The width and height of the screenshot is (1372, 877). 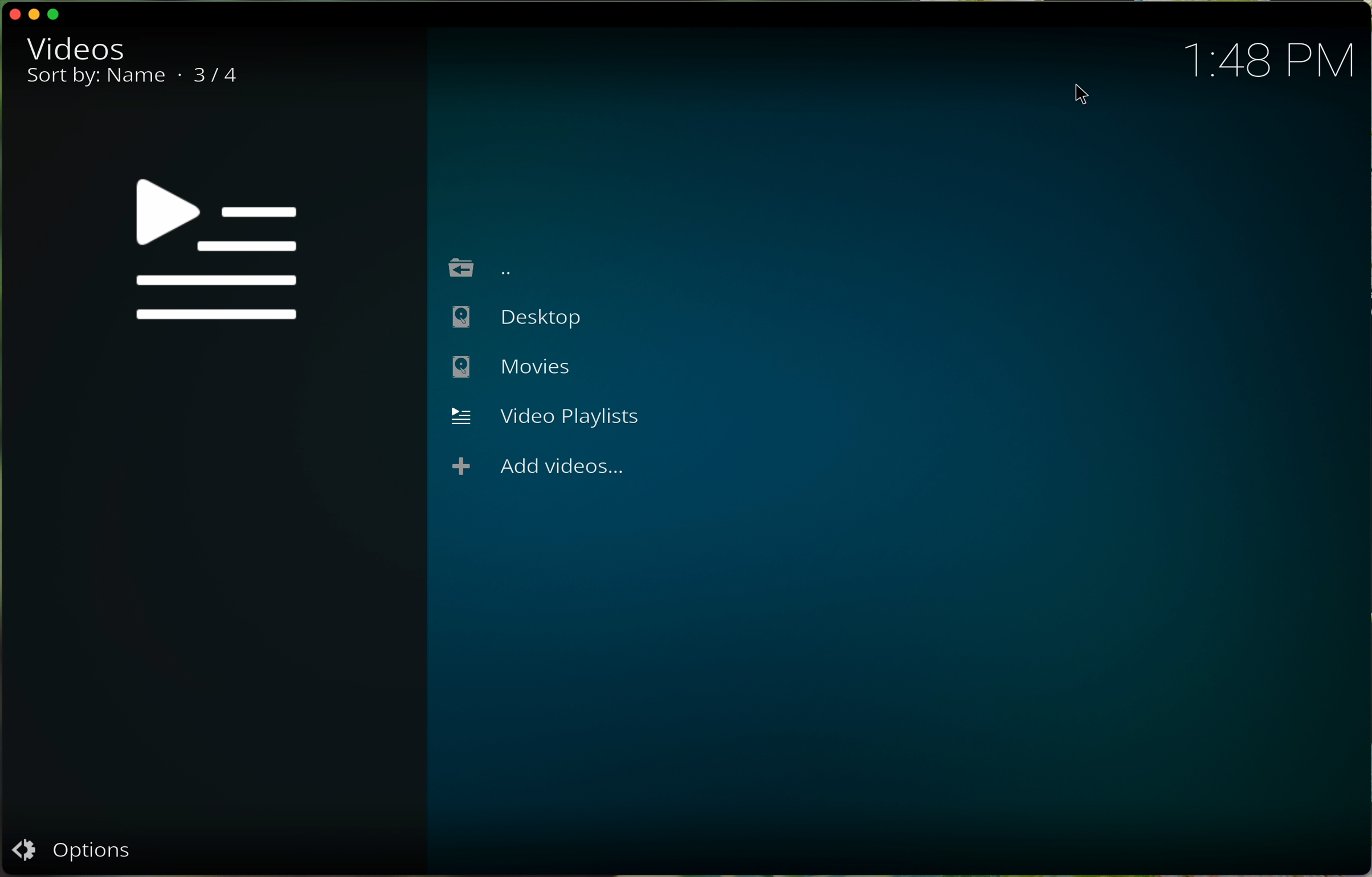 I want to click on video playlist symbol, so click(x=219, y=251).